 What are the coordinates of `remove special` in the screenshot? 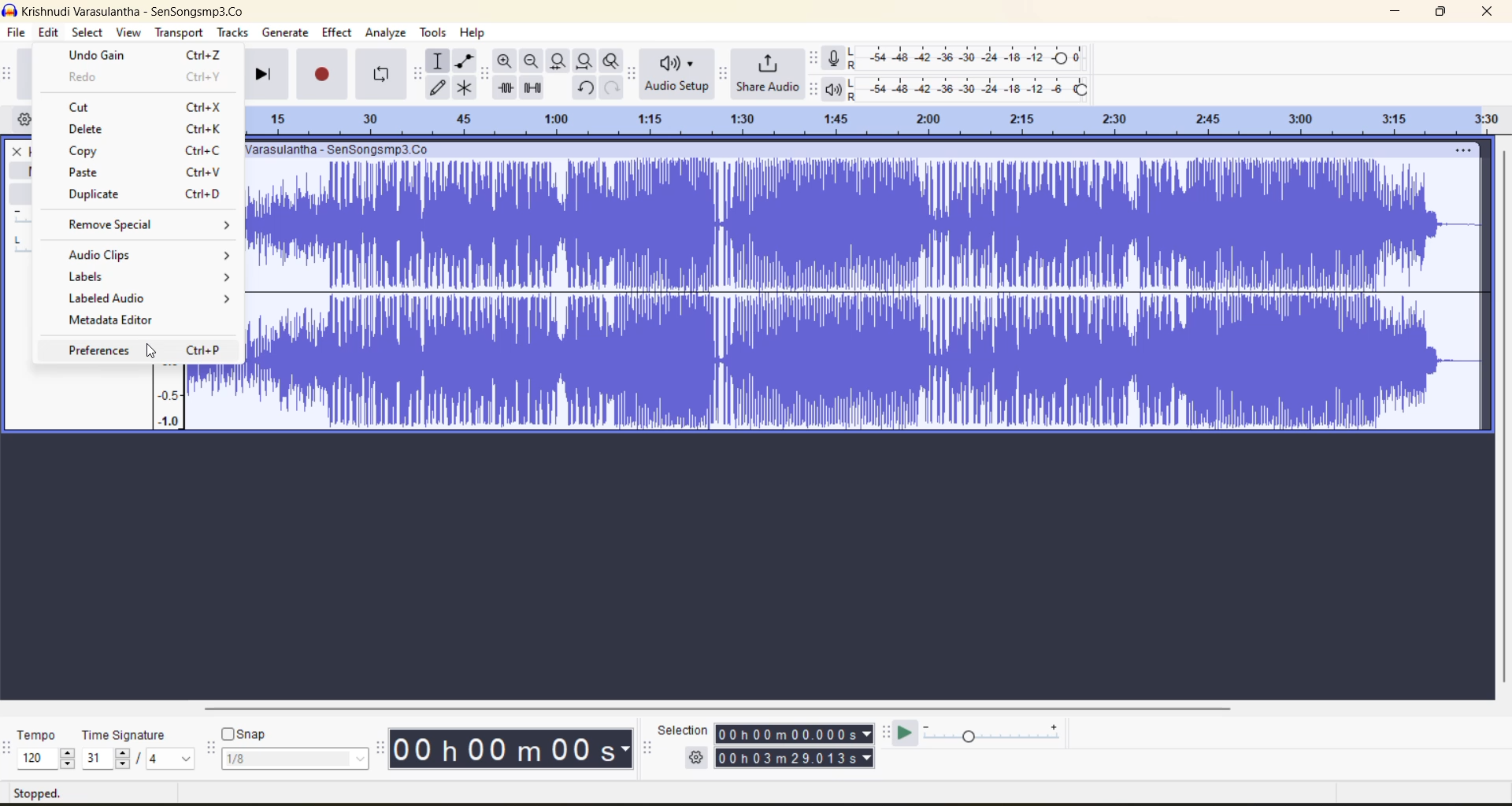 It's located at (139, 227).